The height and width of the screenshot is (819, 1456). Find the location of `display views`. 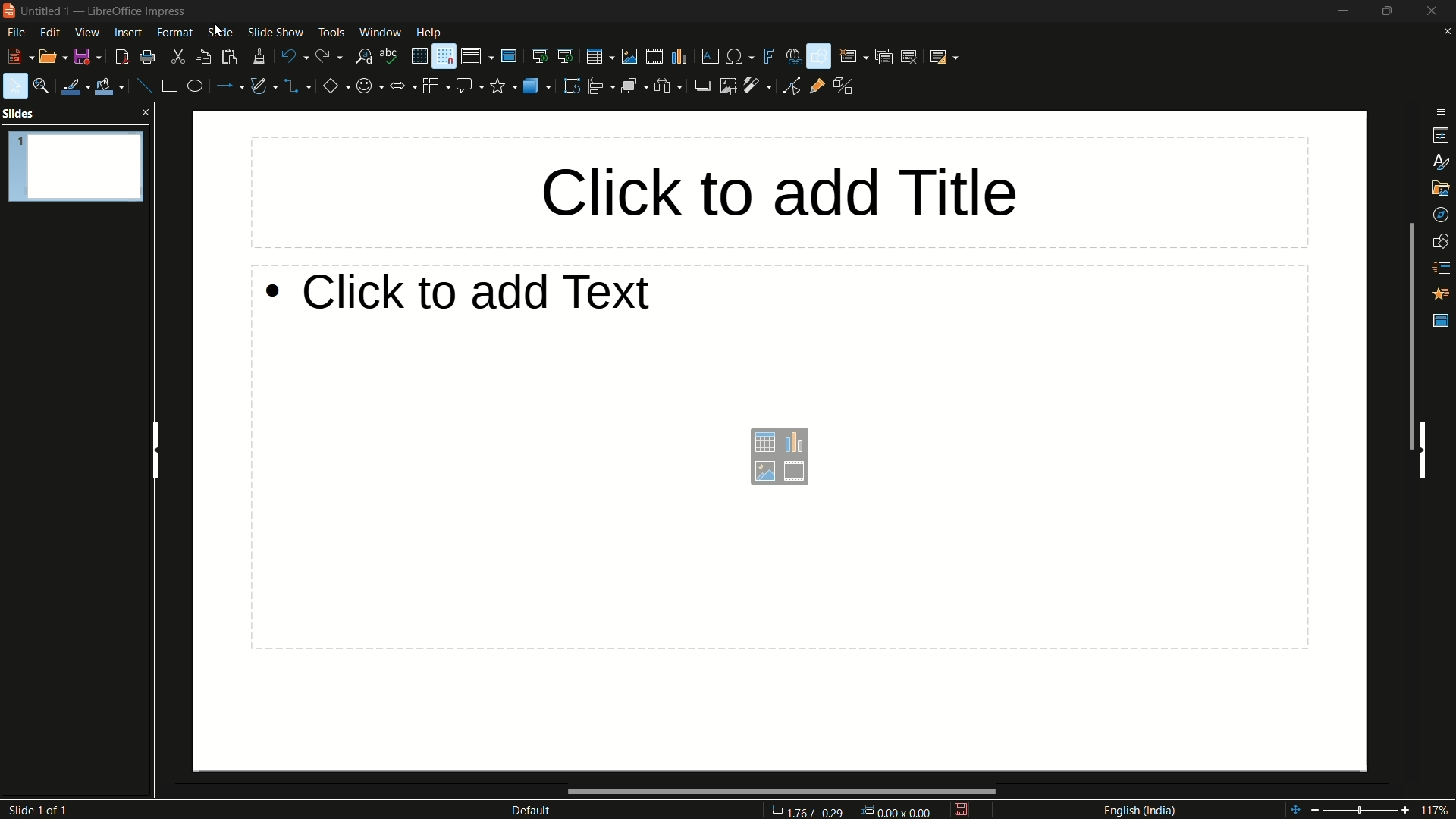

display views is located at coordinates (479, 56).